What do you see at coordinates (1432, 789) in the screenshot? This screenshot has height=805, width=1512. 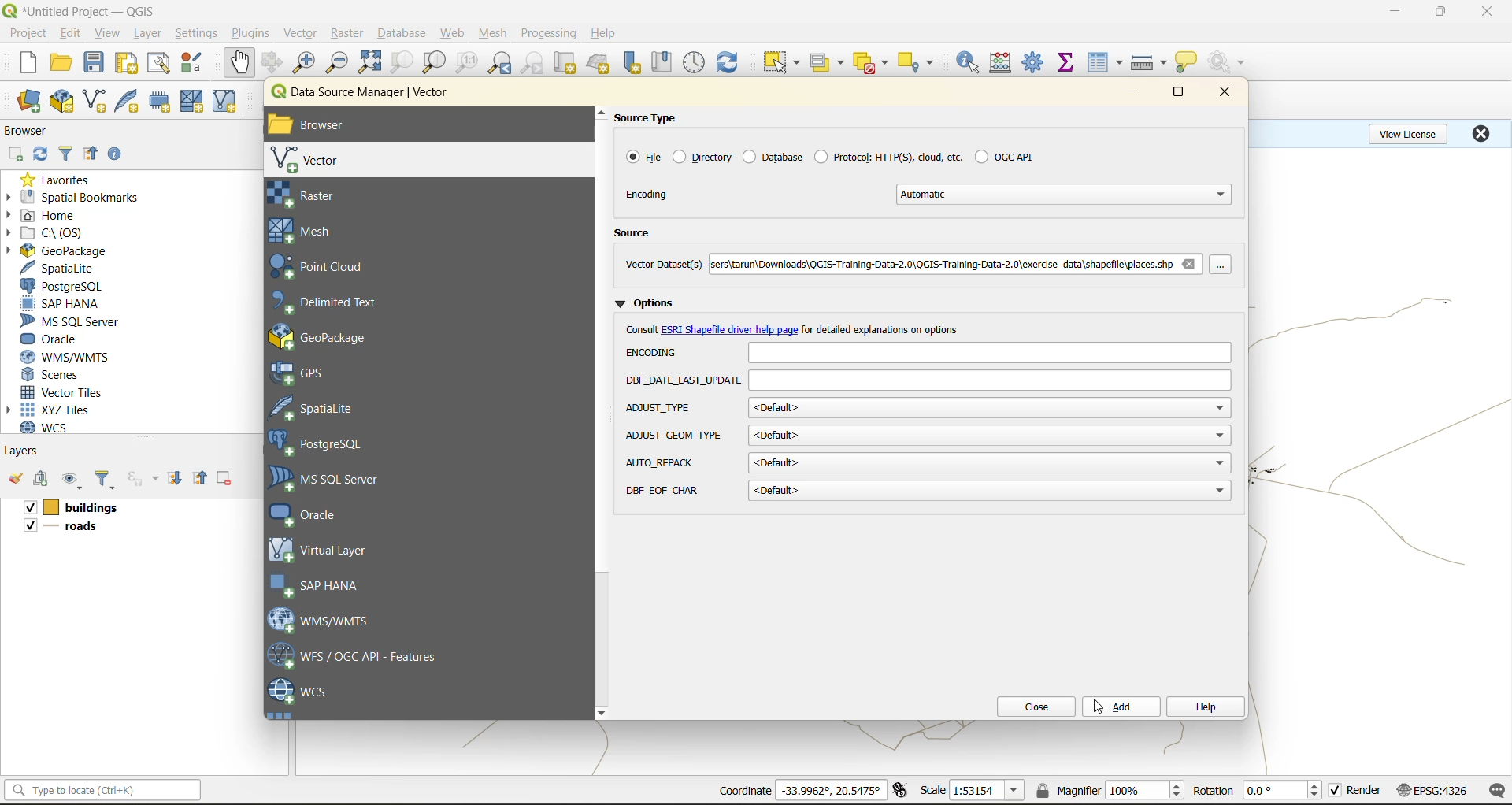 I see `crs` at bounding box center [1432, 789].